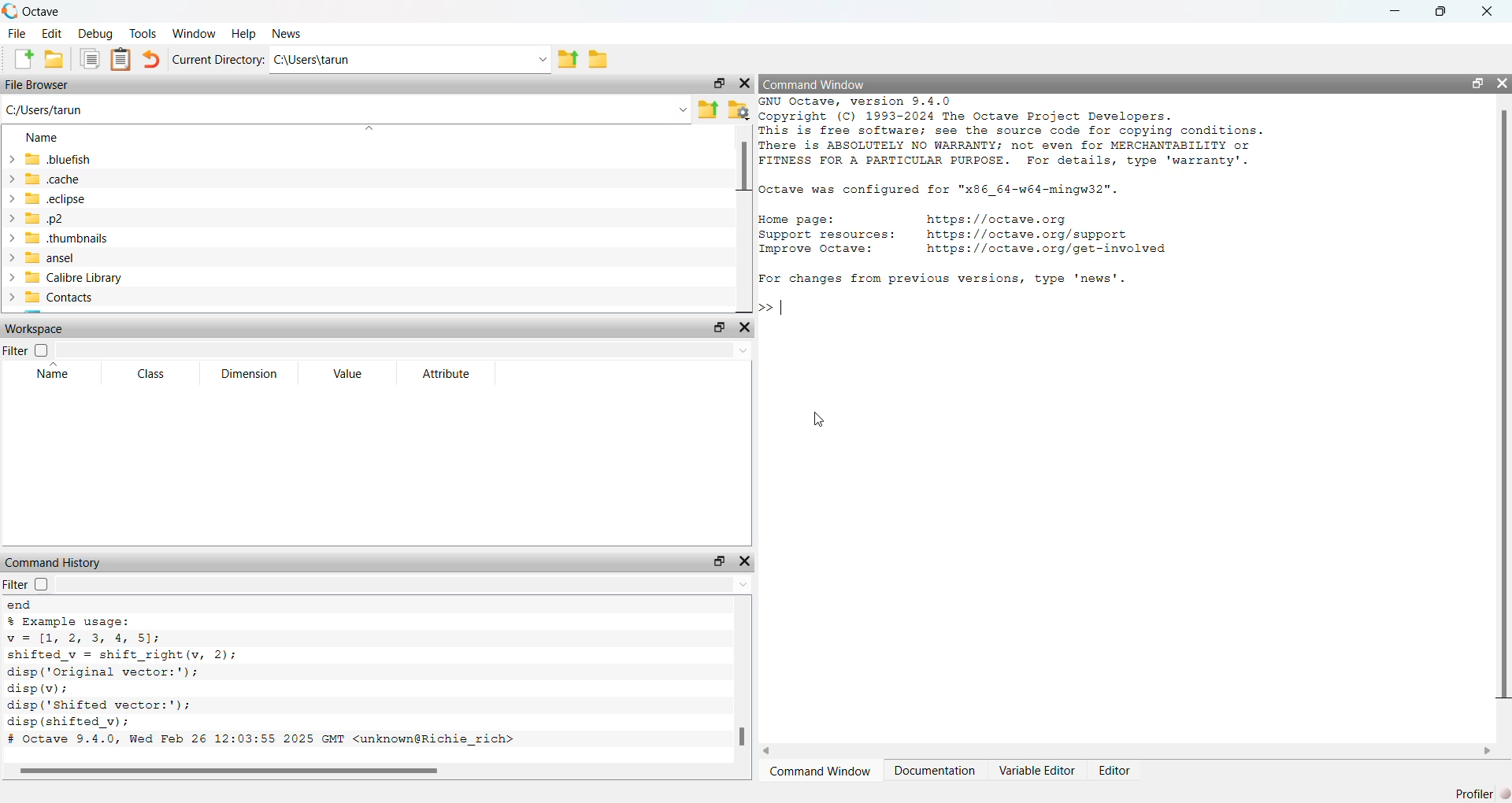 The image size is (1512, 803). Describe the element at coordinates (763, 305) in the screenshot. I see `prompt cursor` at that location.